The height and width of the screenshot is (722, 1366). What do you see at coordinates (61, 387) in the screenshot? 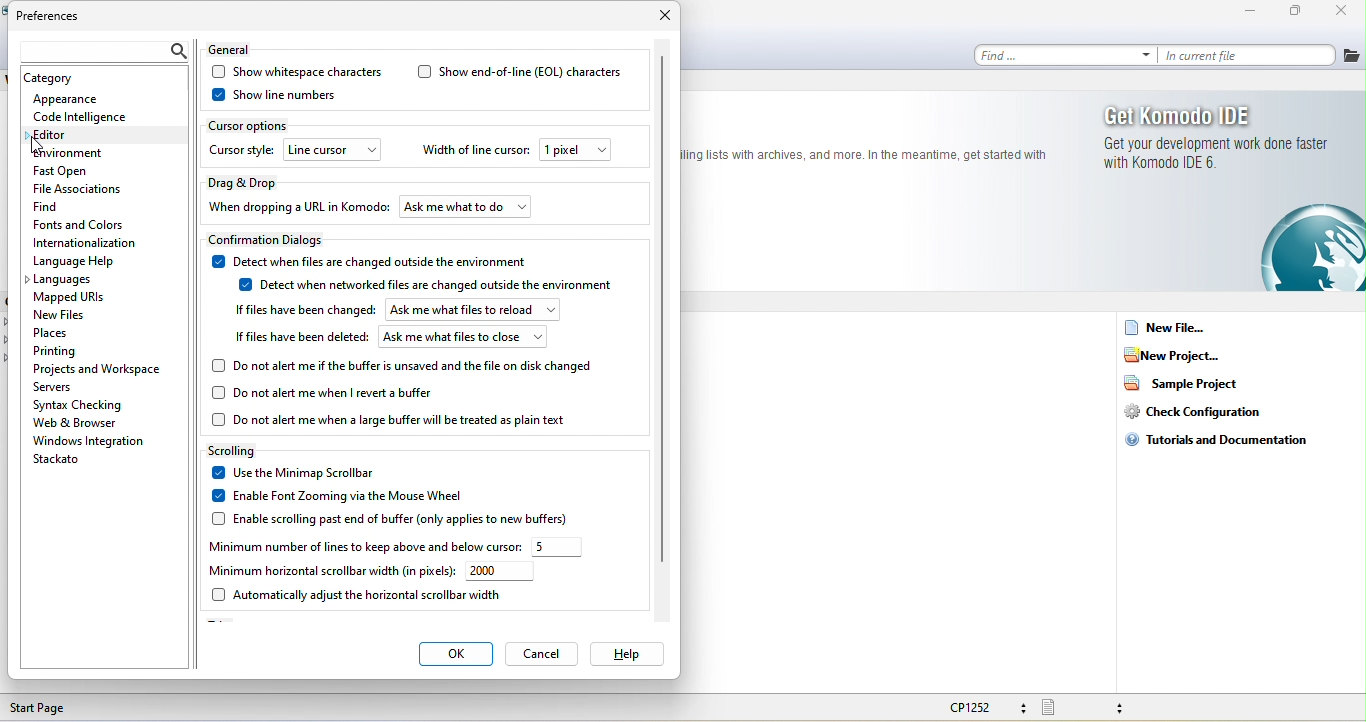
I see `serves` at bounding box center [61, 387].